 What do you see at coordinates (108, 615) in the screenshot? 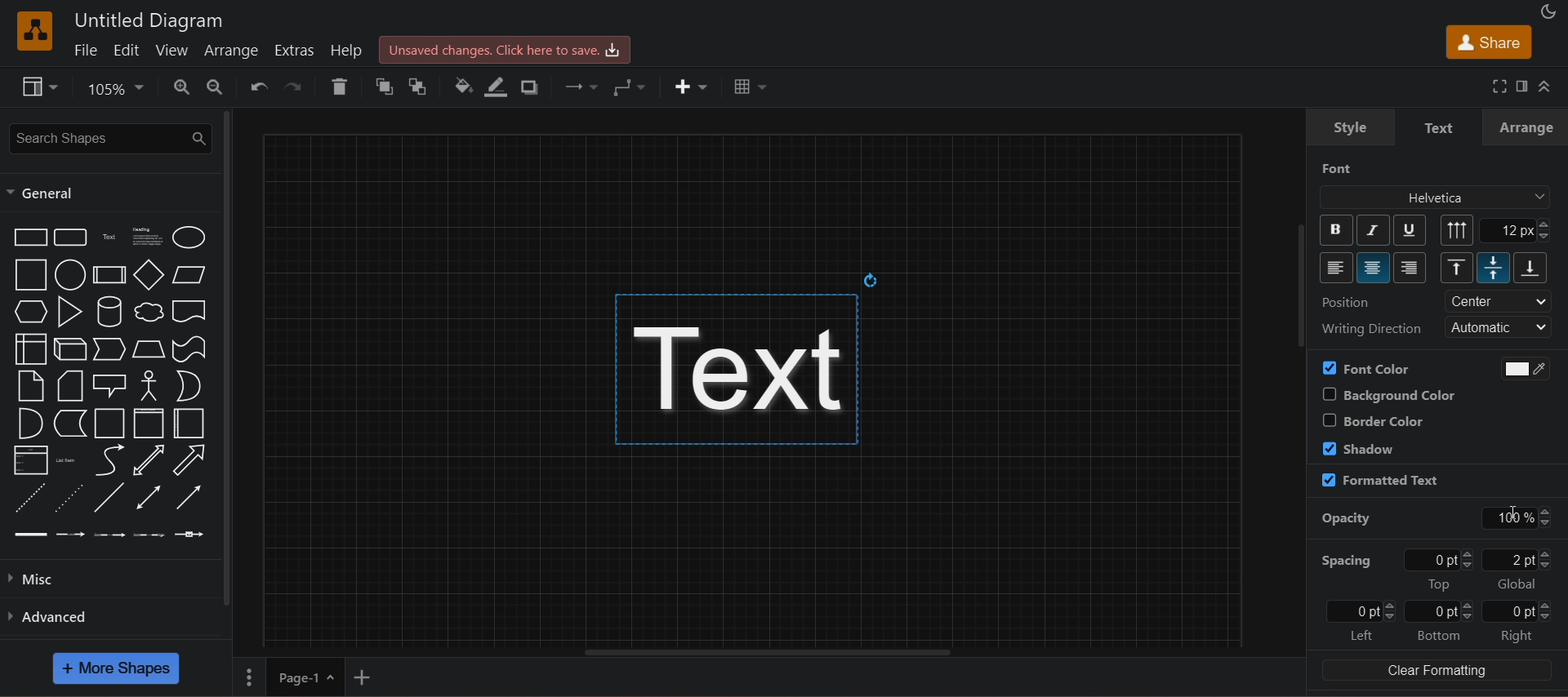
I see `advanced` at bounding box center [108, 615].